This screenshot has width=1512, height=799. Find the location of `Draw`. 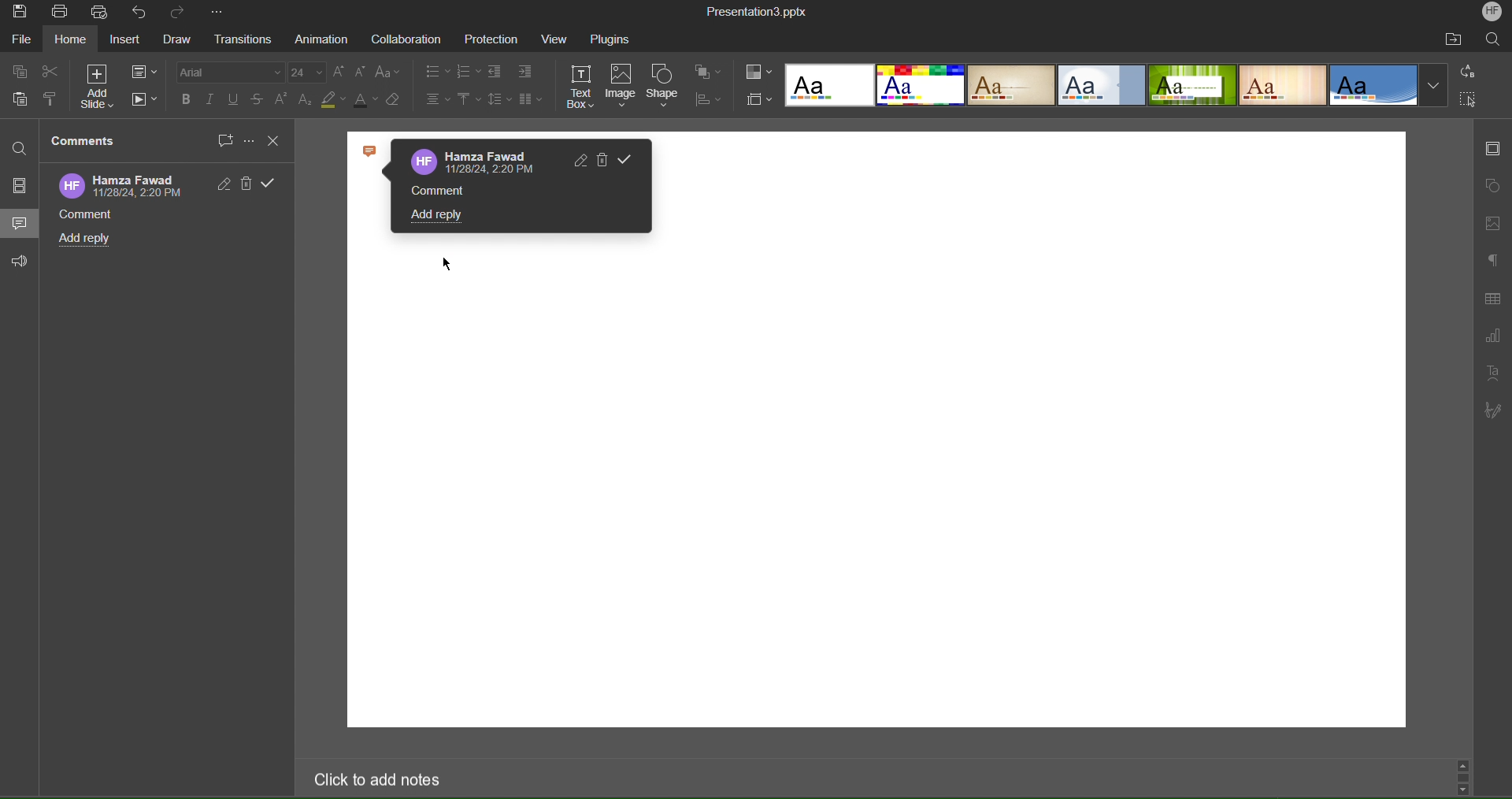

Draw is located at coordinates (176, 40).